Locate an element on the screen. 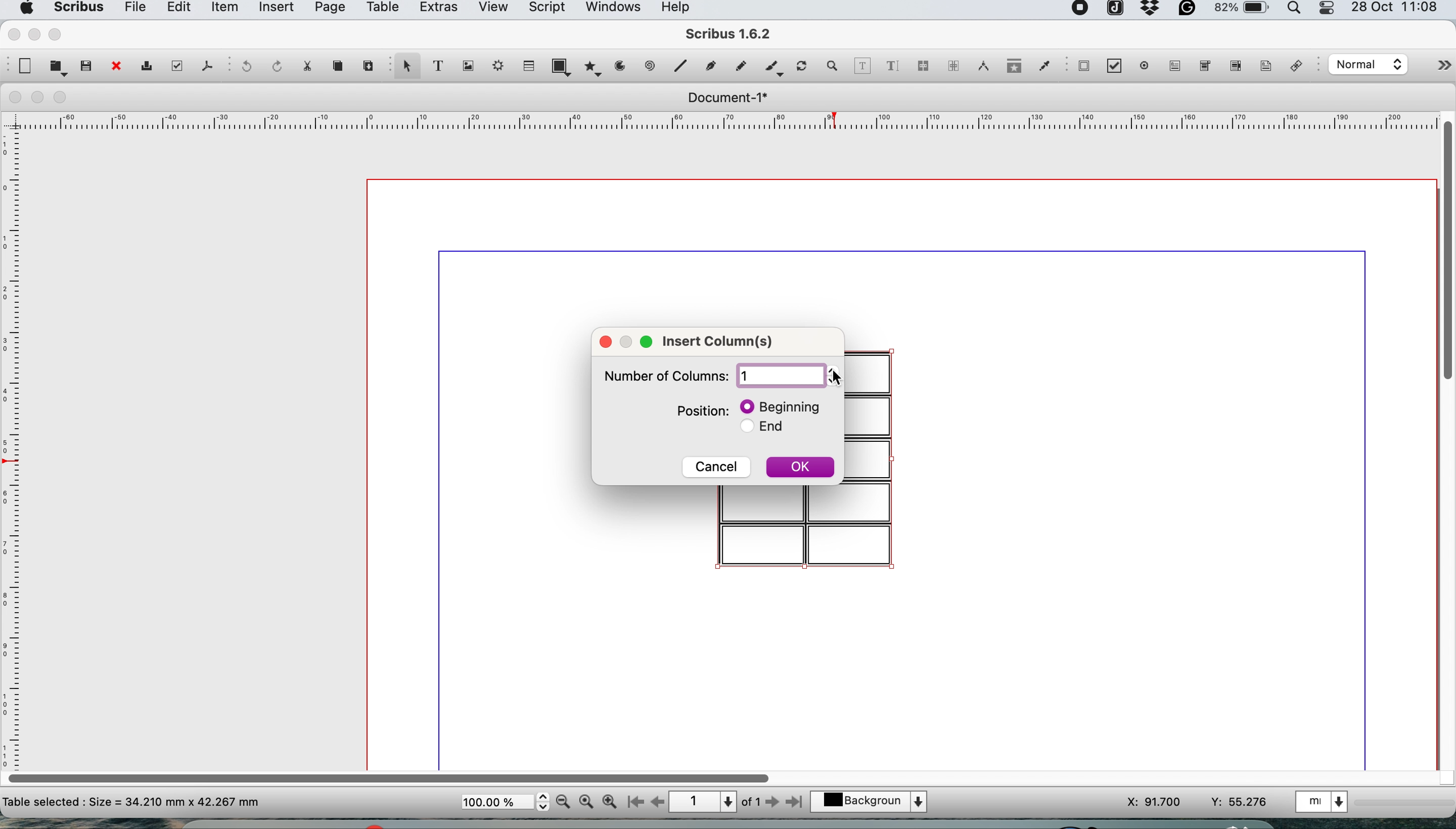  extras is located at coordinates (436, 10).